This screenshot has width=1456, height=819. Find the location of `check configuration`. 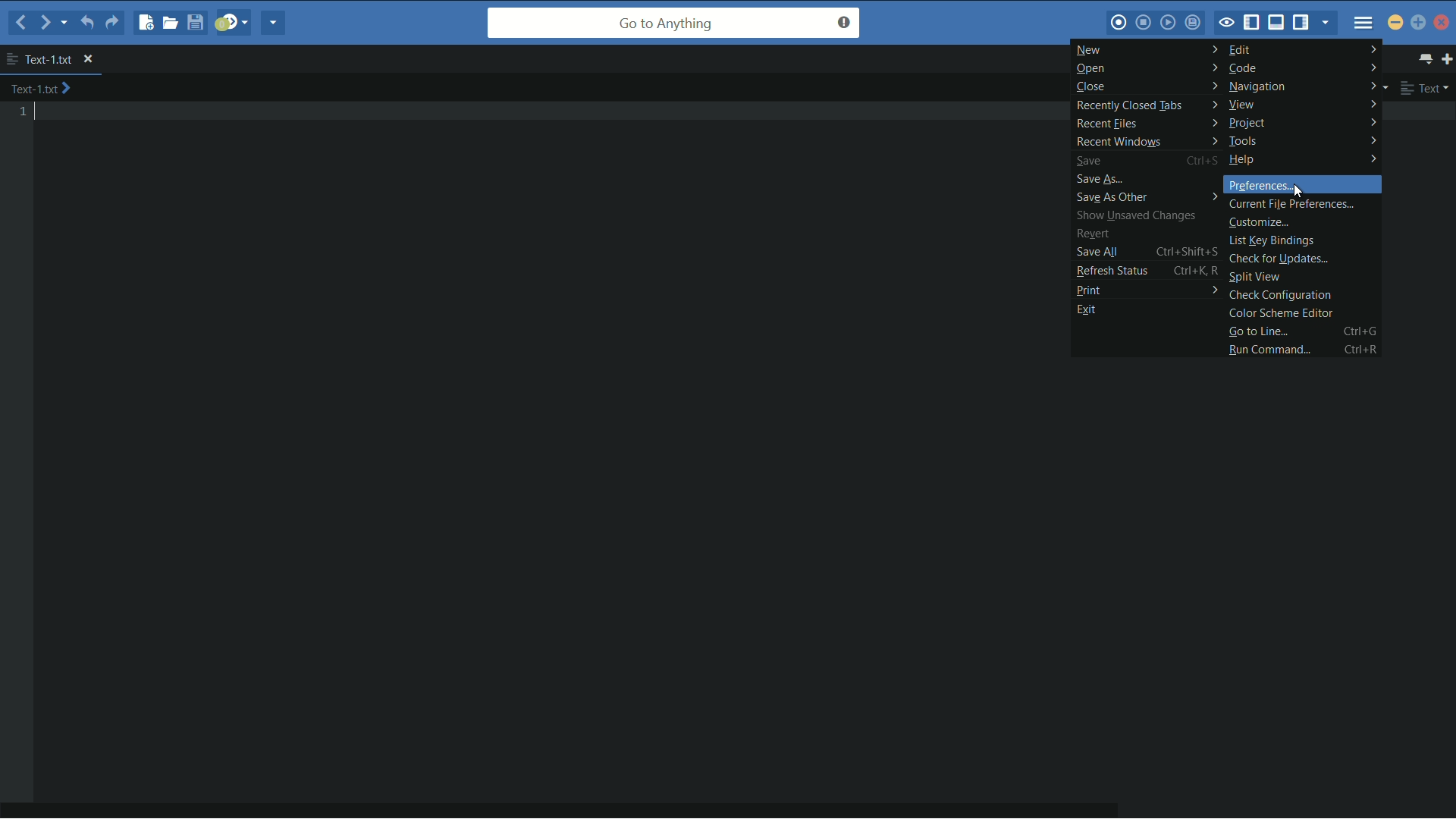

check configuration is located at coordinates (1279, 294).